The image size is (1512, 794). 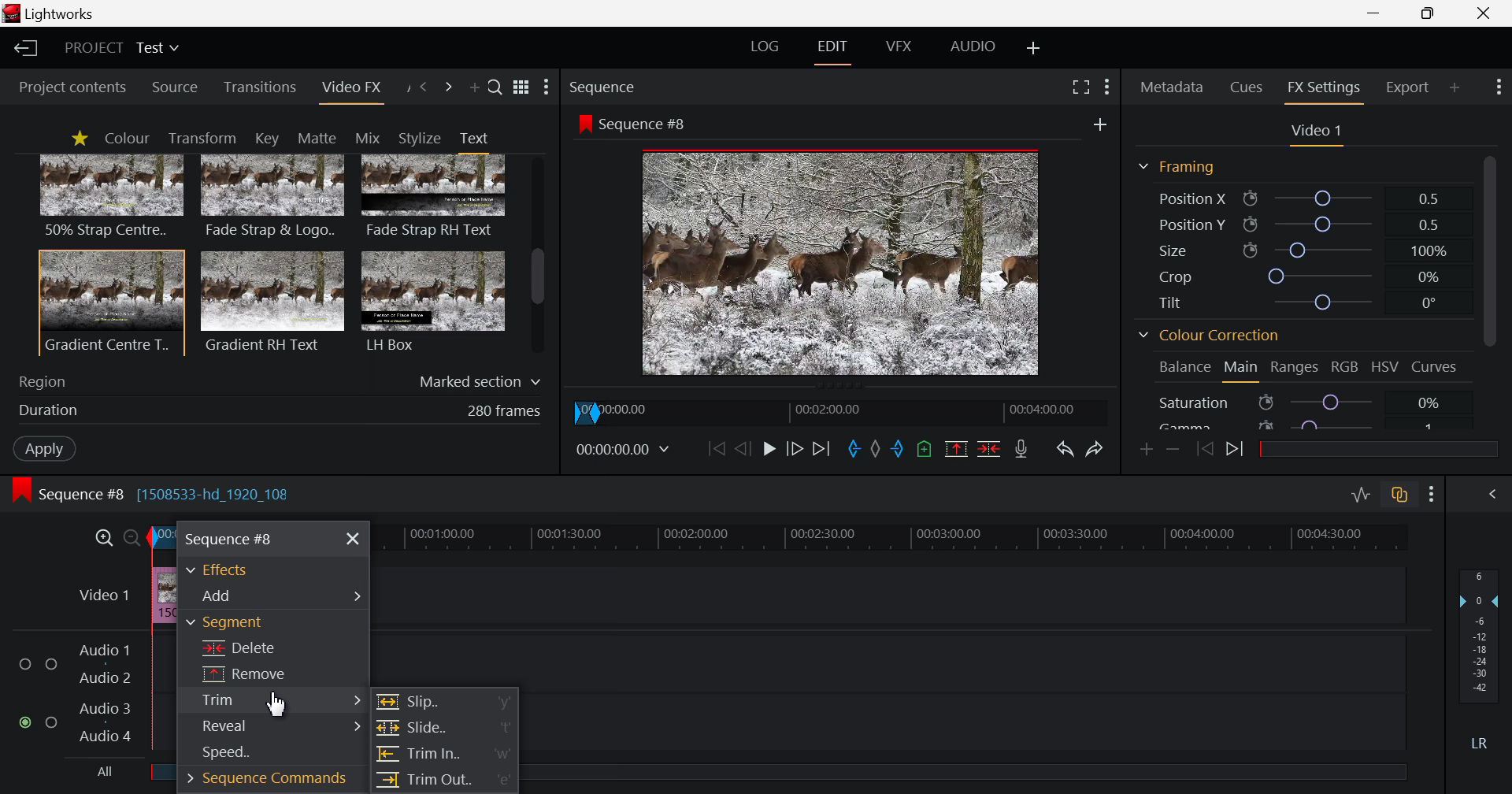 I want to click on Back to homepage, so click(x=23, y=48).